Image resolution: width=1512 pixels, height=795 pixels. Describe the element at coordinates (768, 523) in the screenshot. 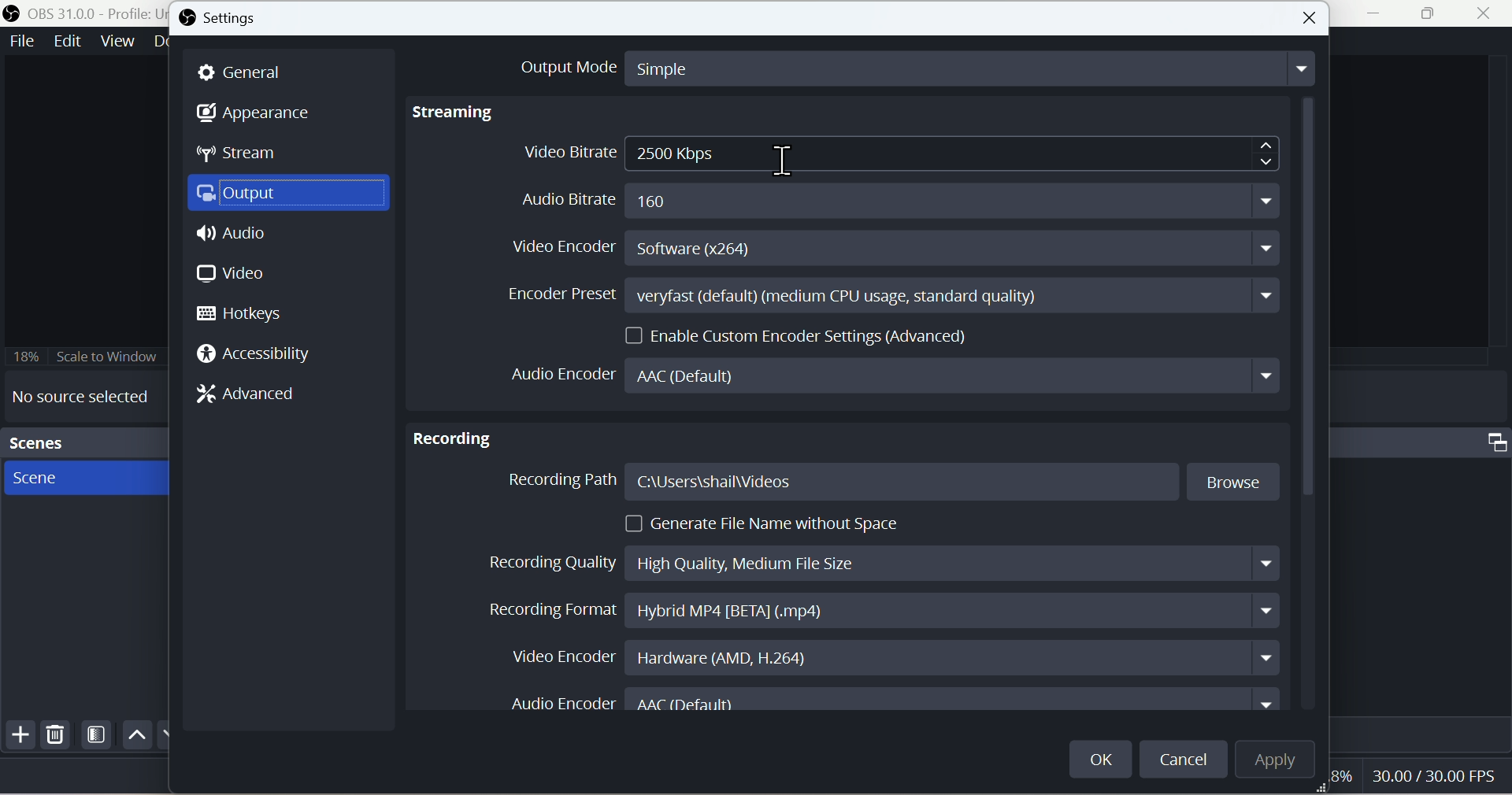

I see `Generate File Name without Space` at that location.